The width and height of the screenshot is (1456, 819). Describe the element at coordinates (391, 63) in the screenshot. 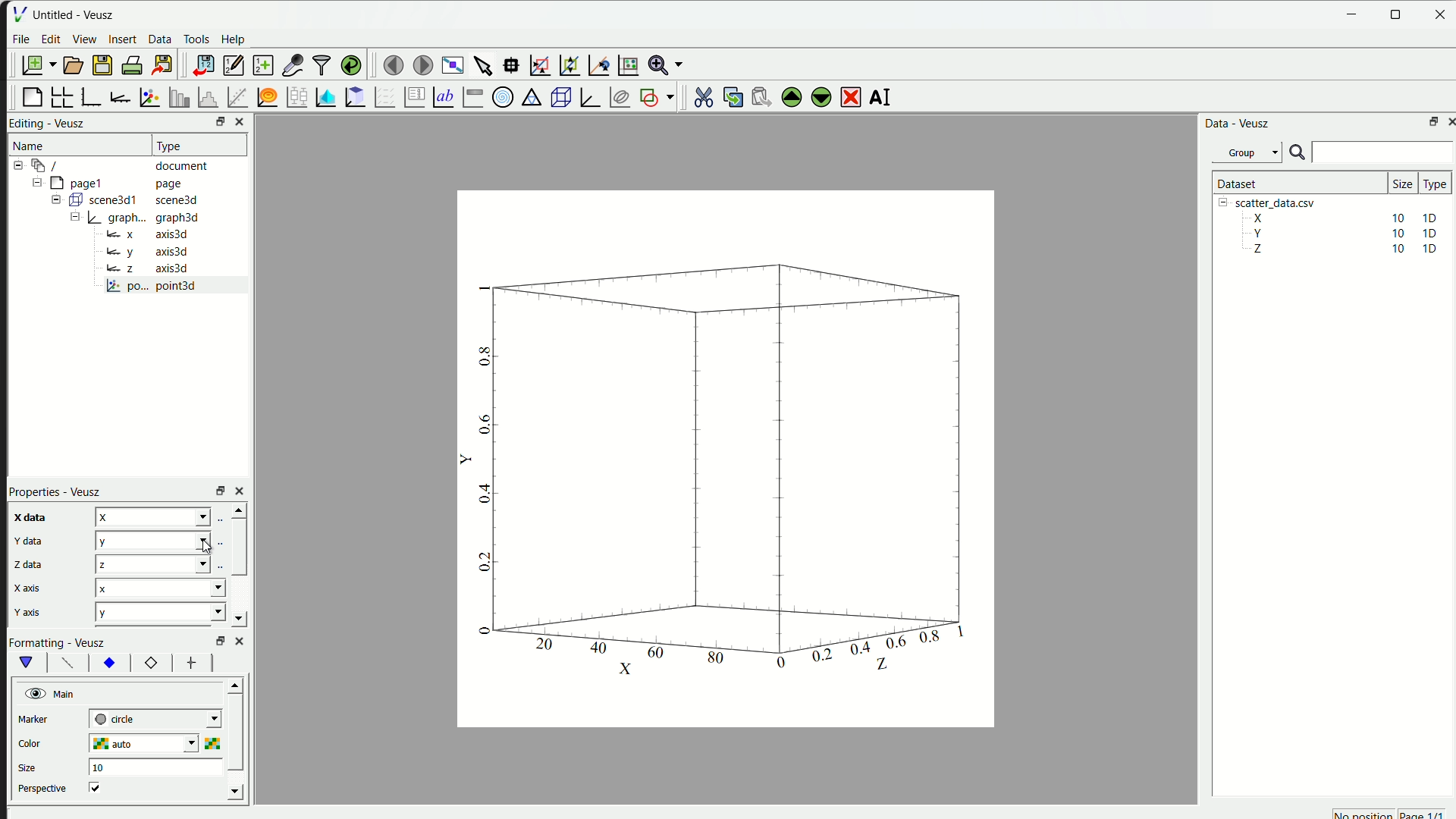

I see `move to previous page` at that location.